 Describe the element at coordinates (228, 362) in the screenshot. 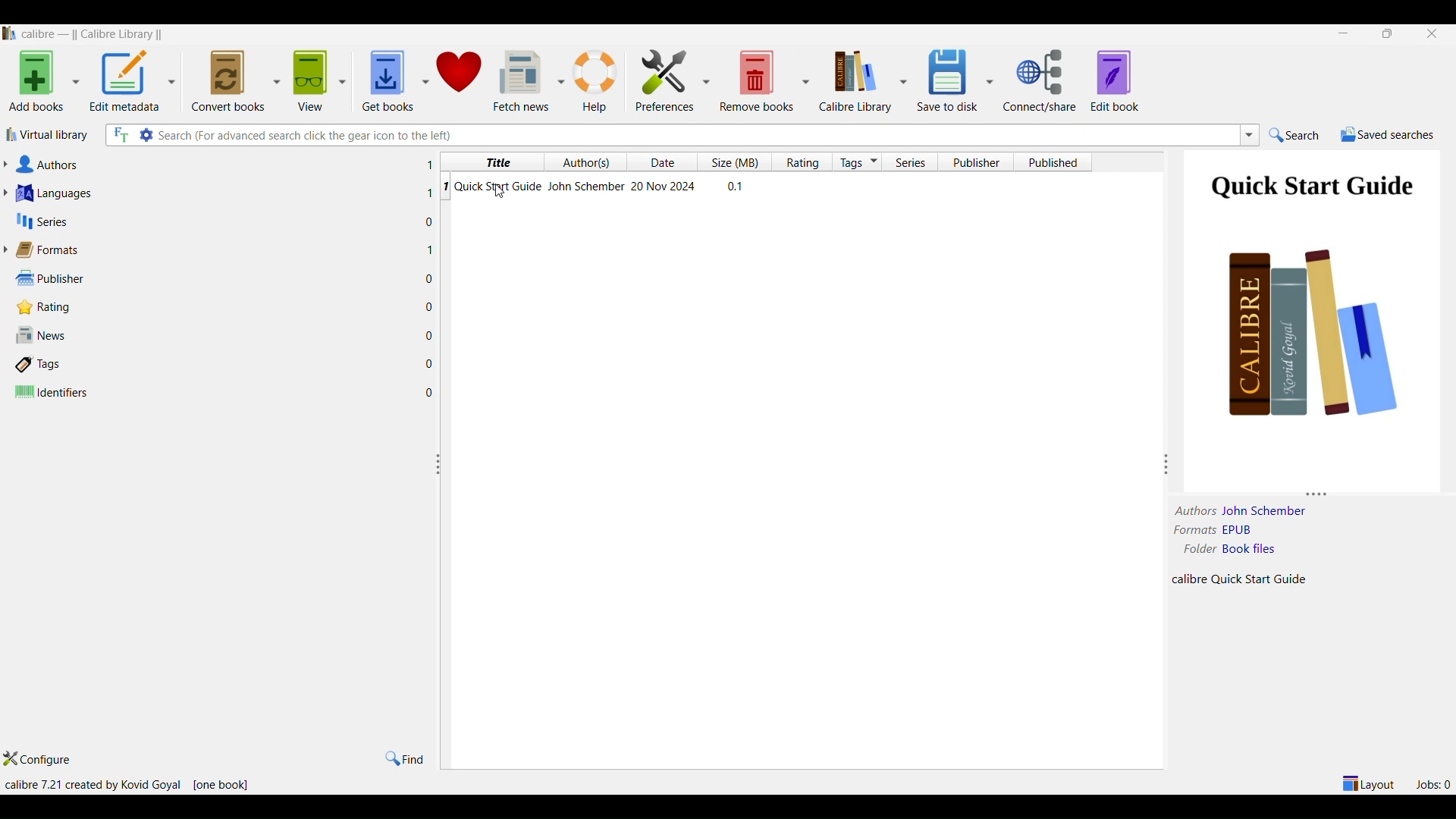

I see `tags ` at that location.